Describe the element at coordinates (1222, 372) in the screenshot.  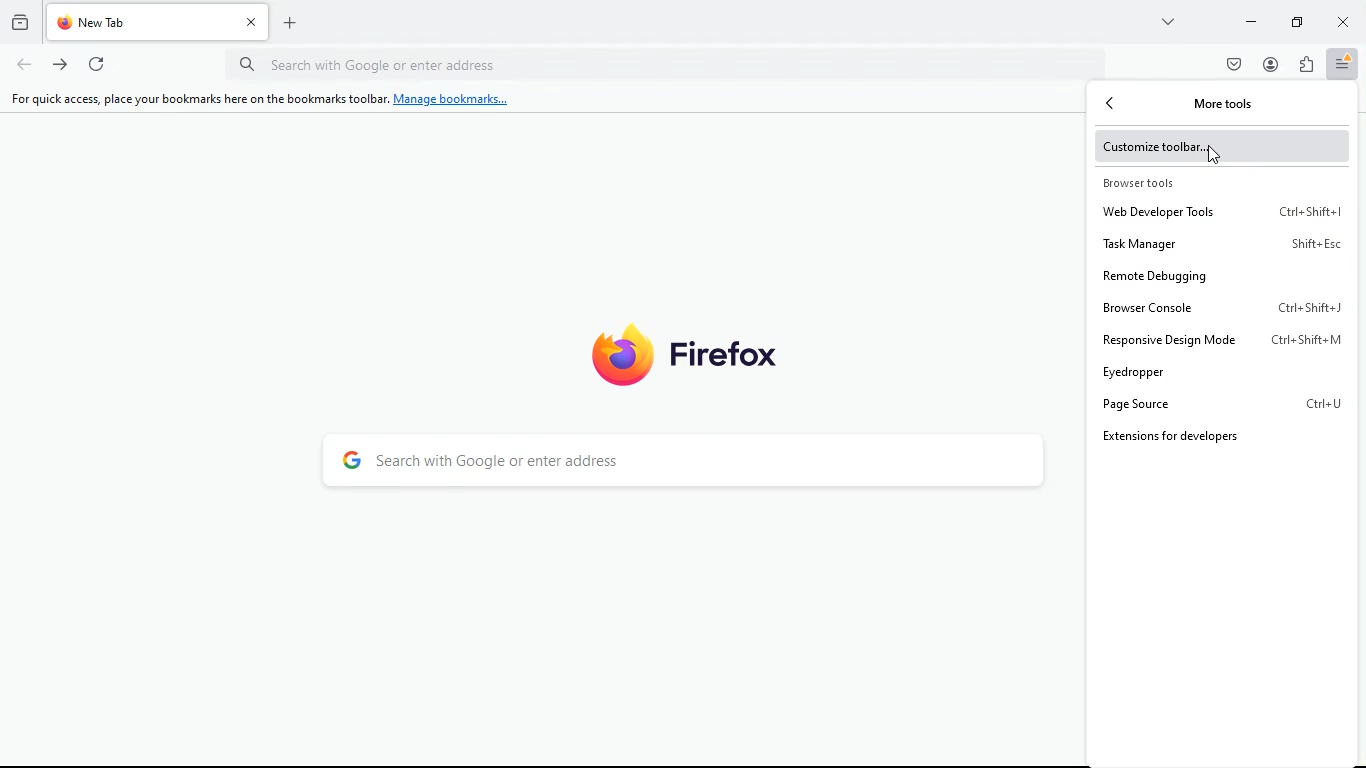
I see `eyedropper` at that location.